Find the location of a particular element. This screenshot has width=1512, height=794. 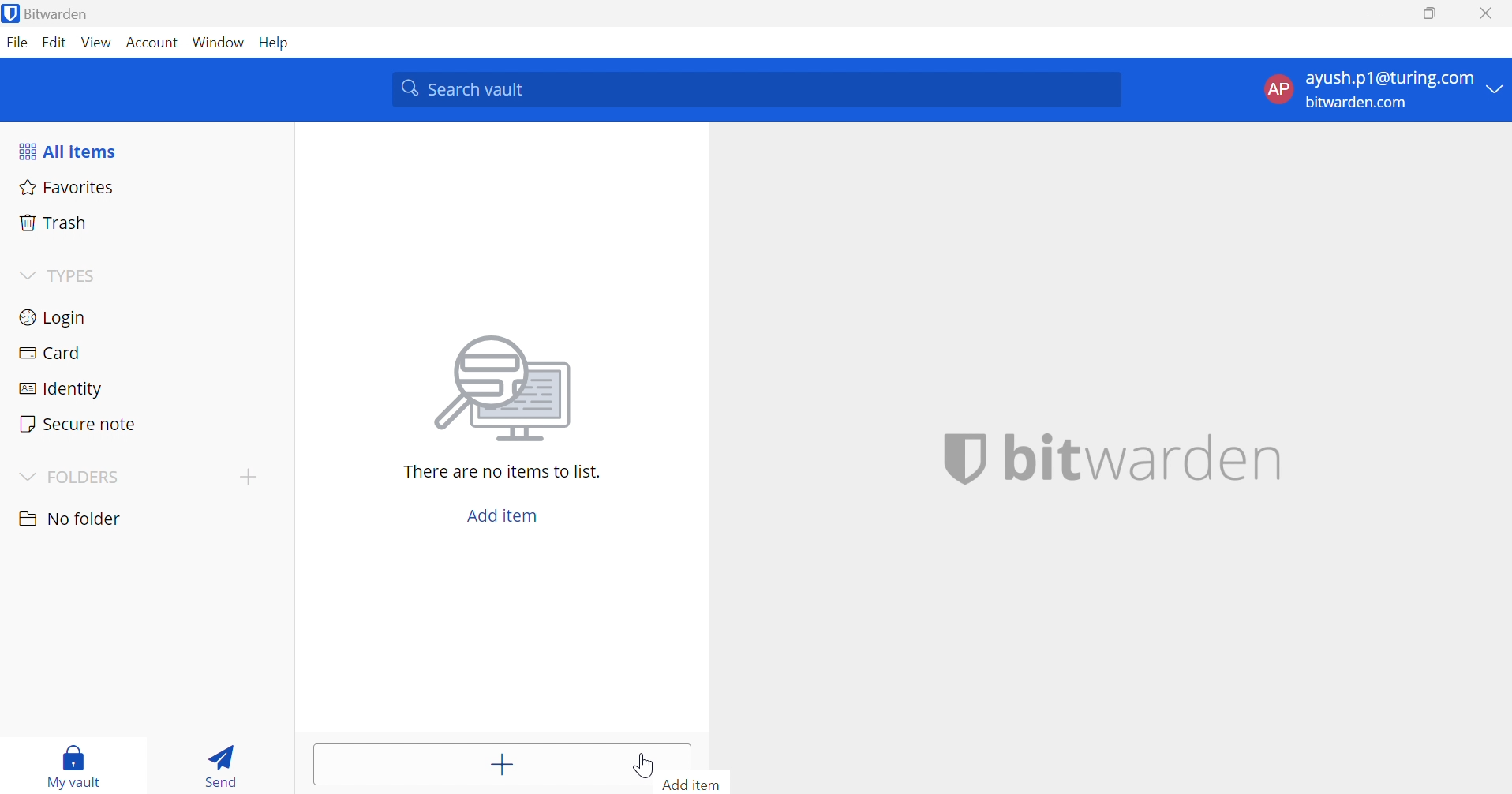

TYPES is located at coordinates (76, 277).